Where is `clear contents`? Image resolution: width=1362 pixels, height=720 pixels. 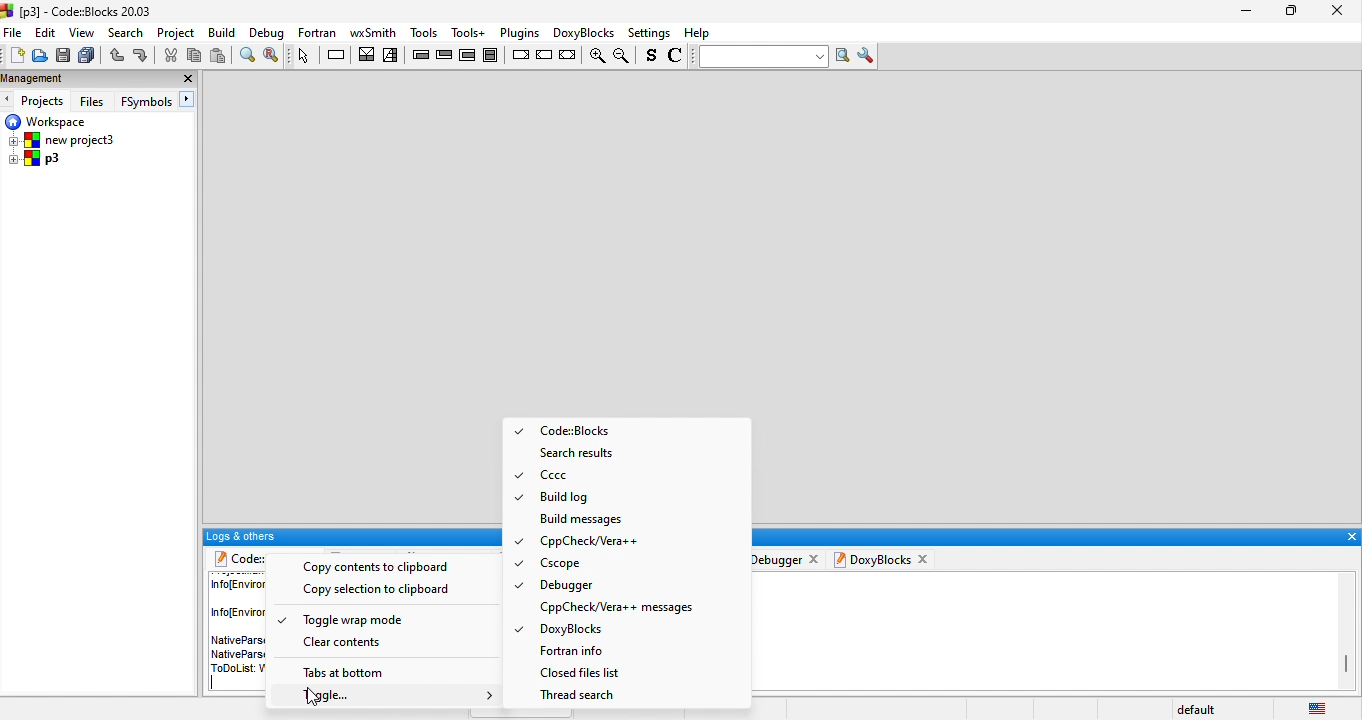 clear contents is located at coordinates (349, 644).